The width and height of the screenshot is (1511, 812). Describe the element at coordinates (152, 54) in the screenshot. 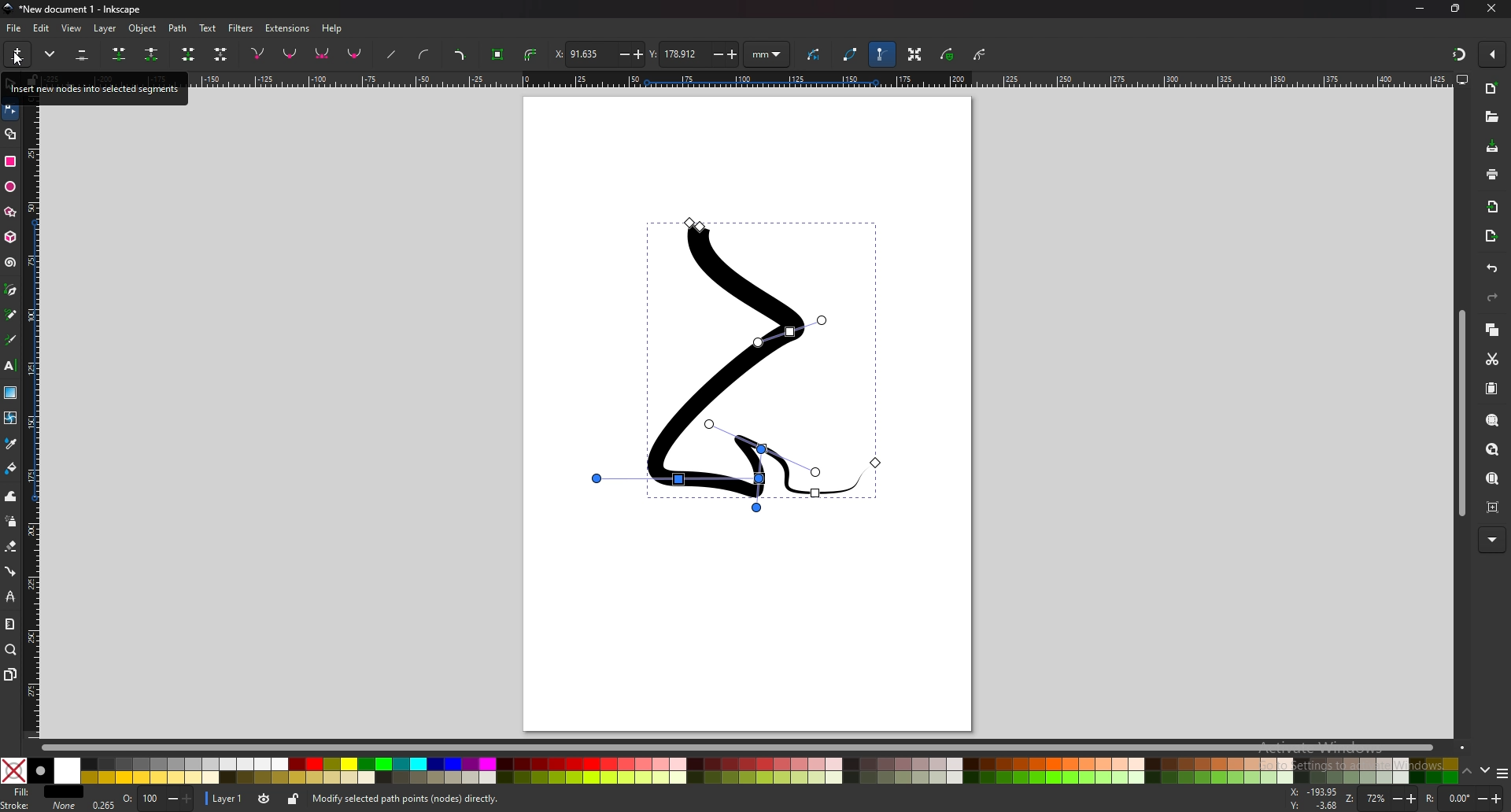

I see `break path at selected nodes` at that location.